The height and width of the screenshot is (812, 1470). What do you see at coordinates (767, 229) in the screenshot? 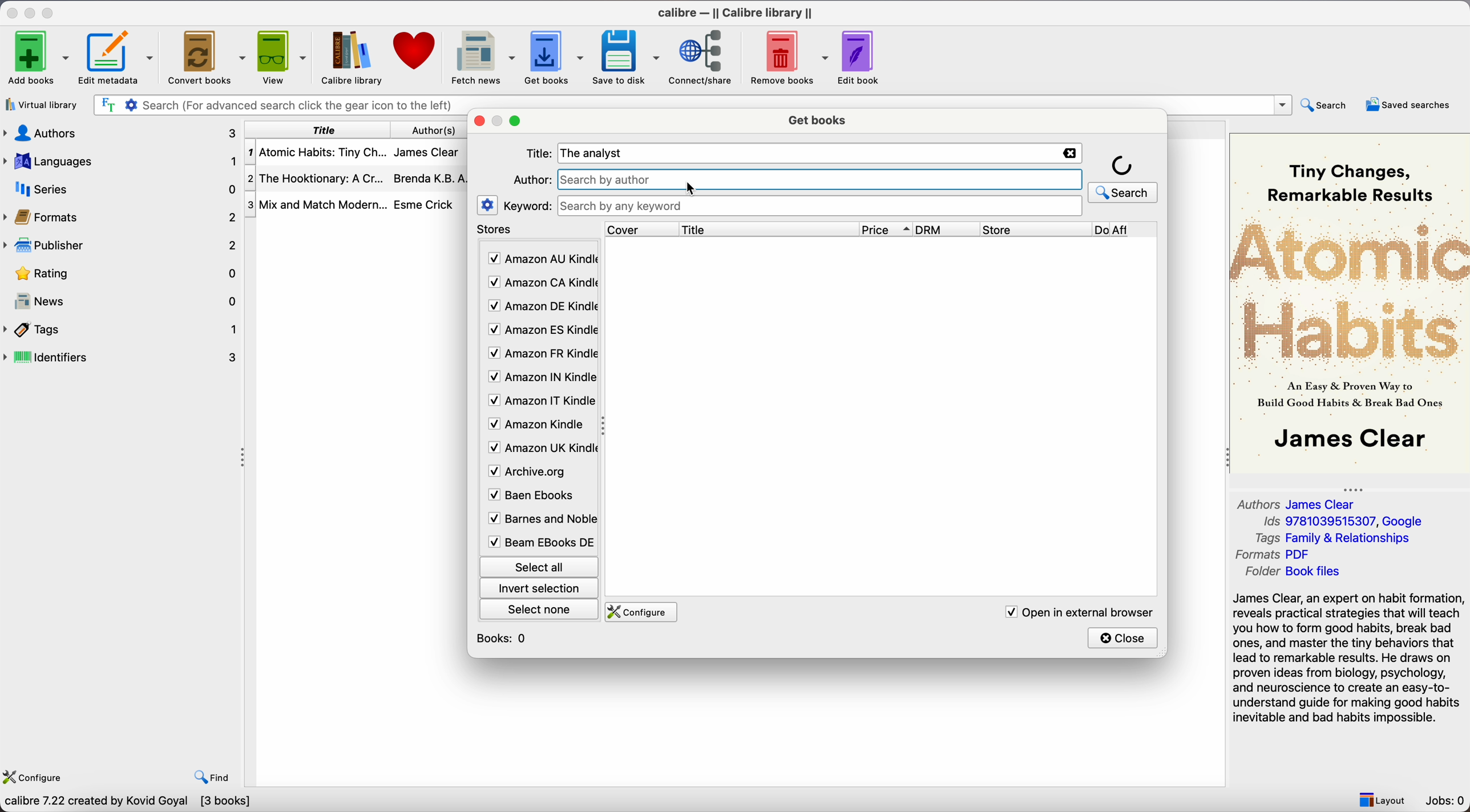
I see `title` at bounding box center [767, 229].